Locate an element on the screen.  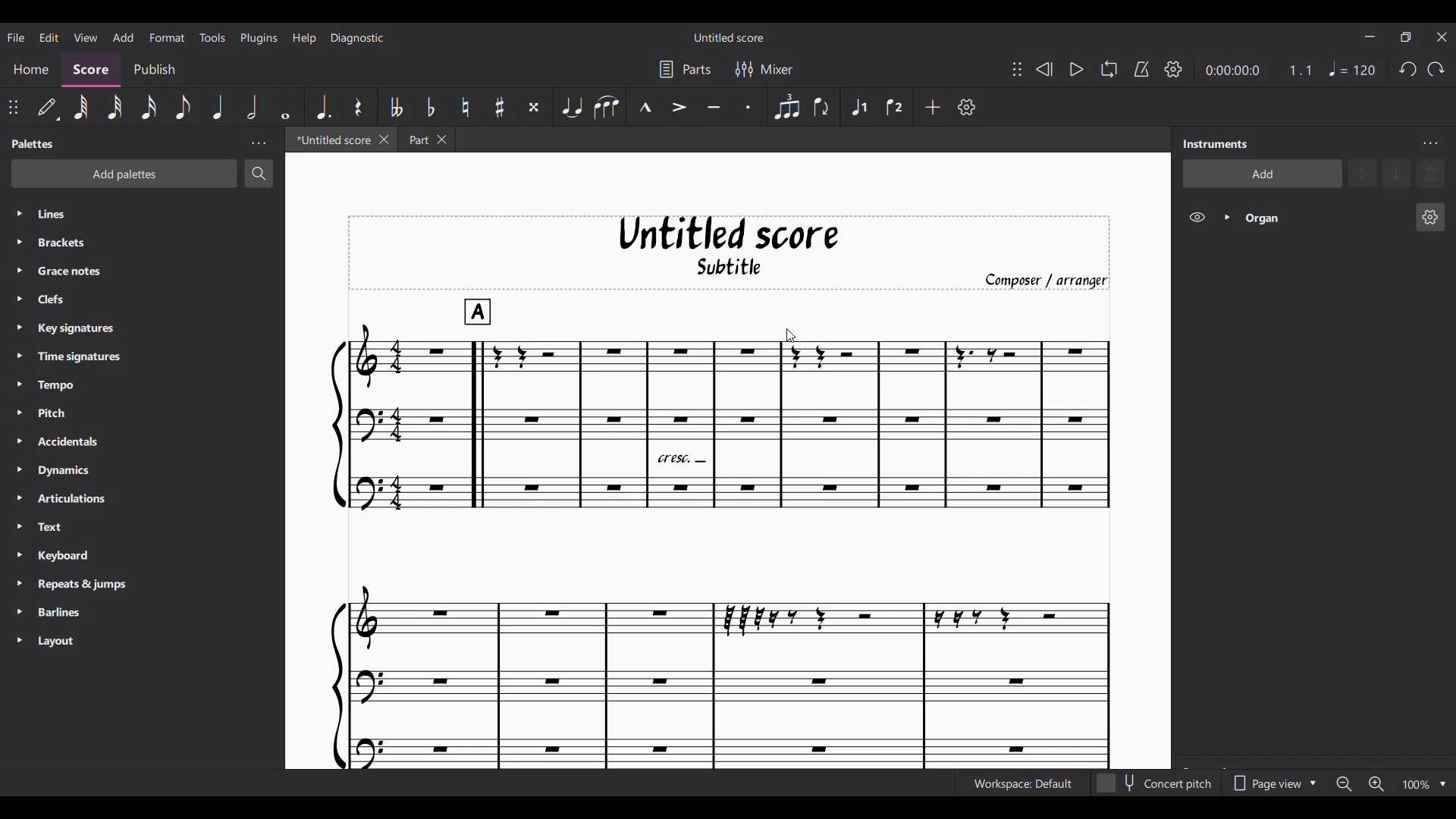
Zoom out is located at coordinates (1345, 784).